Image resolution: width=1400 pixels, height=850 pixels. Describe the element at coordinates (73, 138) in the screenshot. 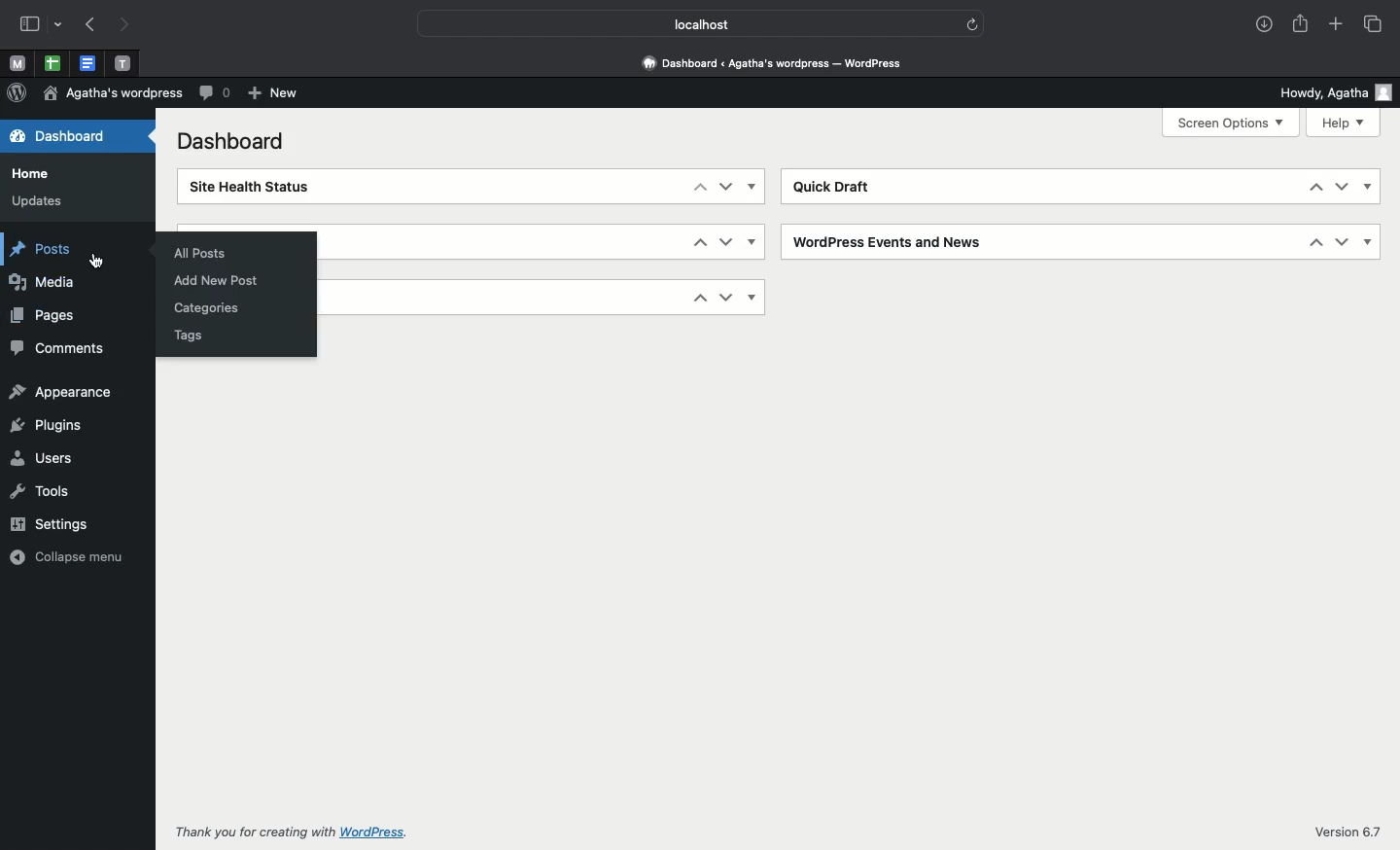

I see `Dashboard` at that location.